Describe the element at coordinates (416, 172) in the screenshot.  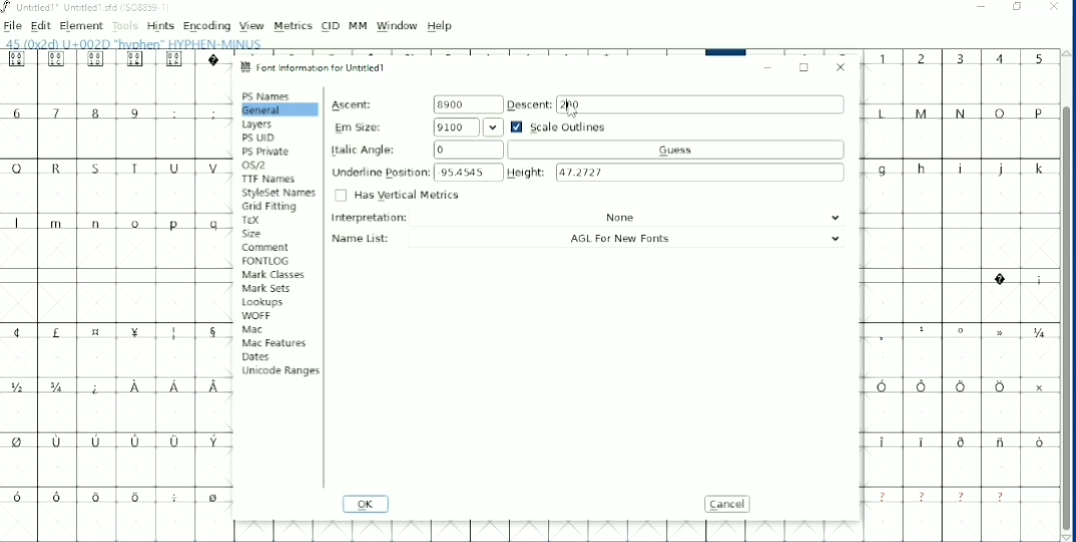
I see `Underline Position` at that location.